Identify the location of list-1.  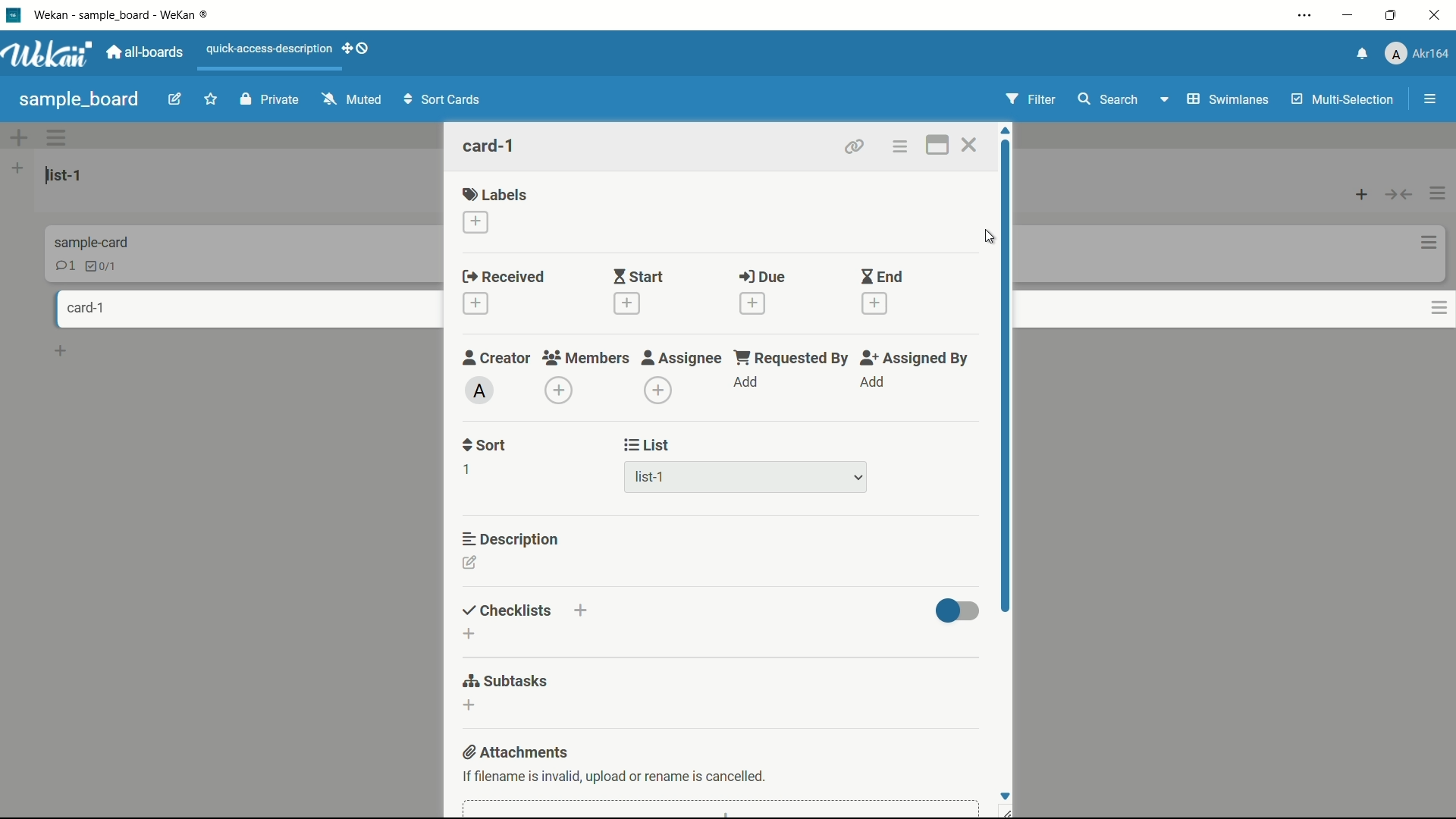
(64, 176).